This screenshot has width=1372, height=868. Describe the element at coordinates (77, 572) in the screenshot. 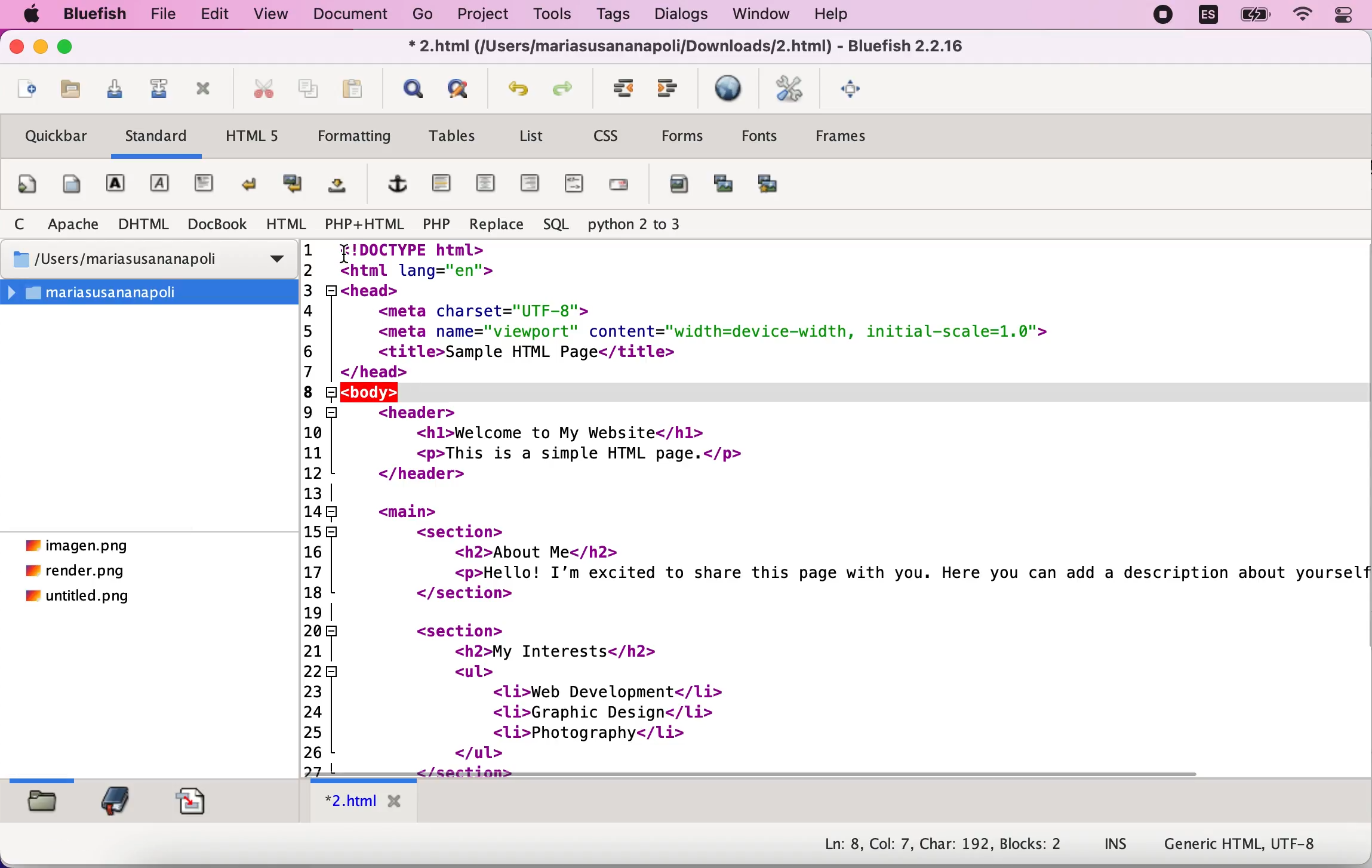

I see `render.png` at that location.